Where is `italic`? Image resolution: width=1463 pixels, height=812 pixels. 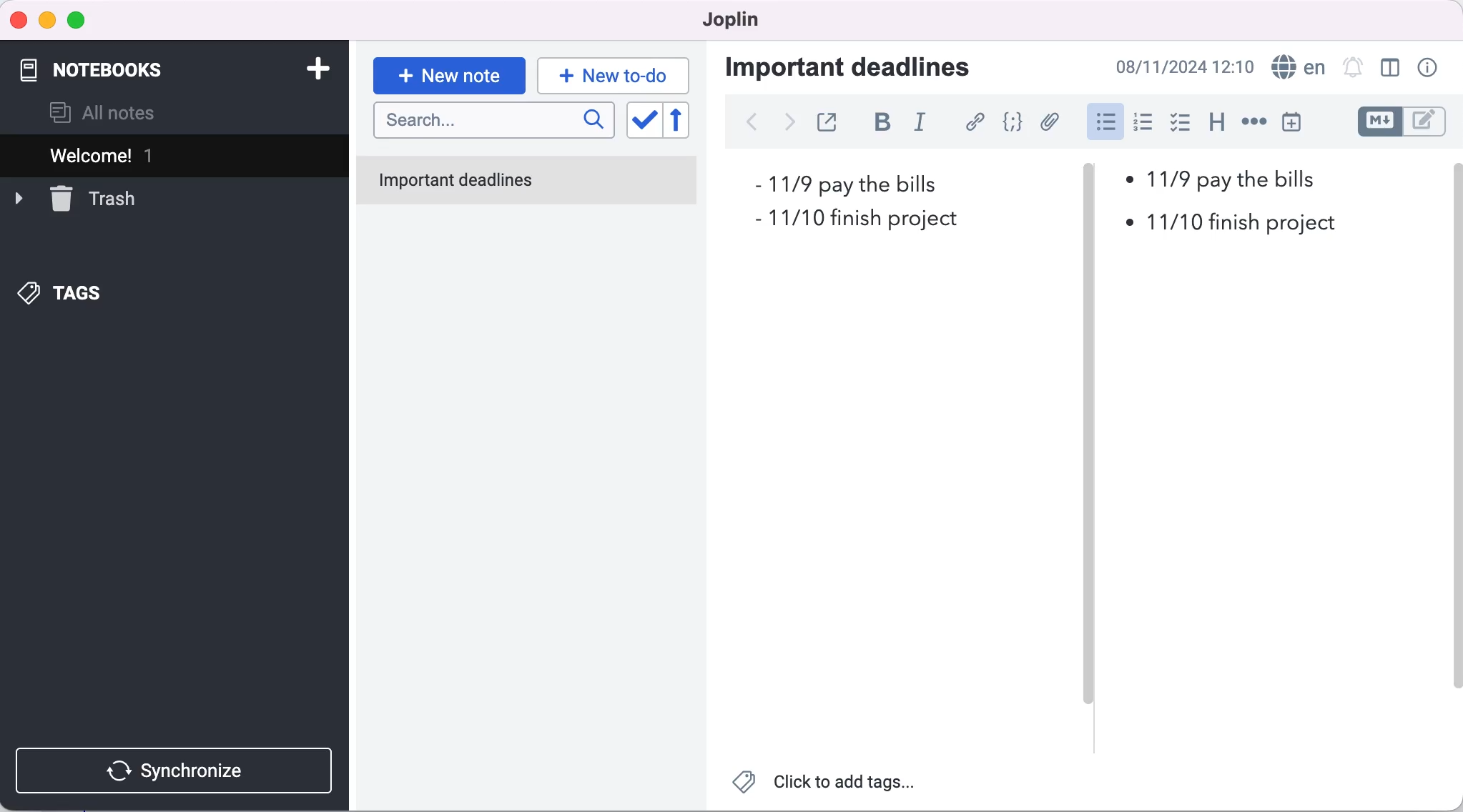 italic is located at coordinates (919, 124).